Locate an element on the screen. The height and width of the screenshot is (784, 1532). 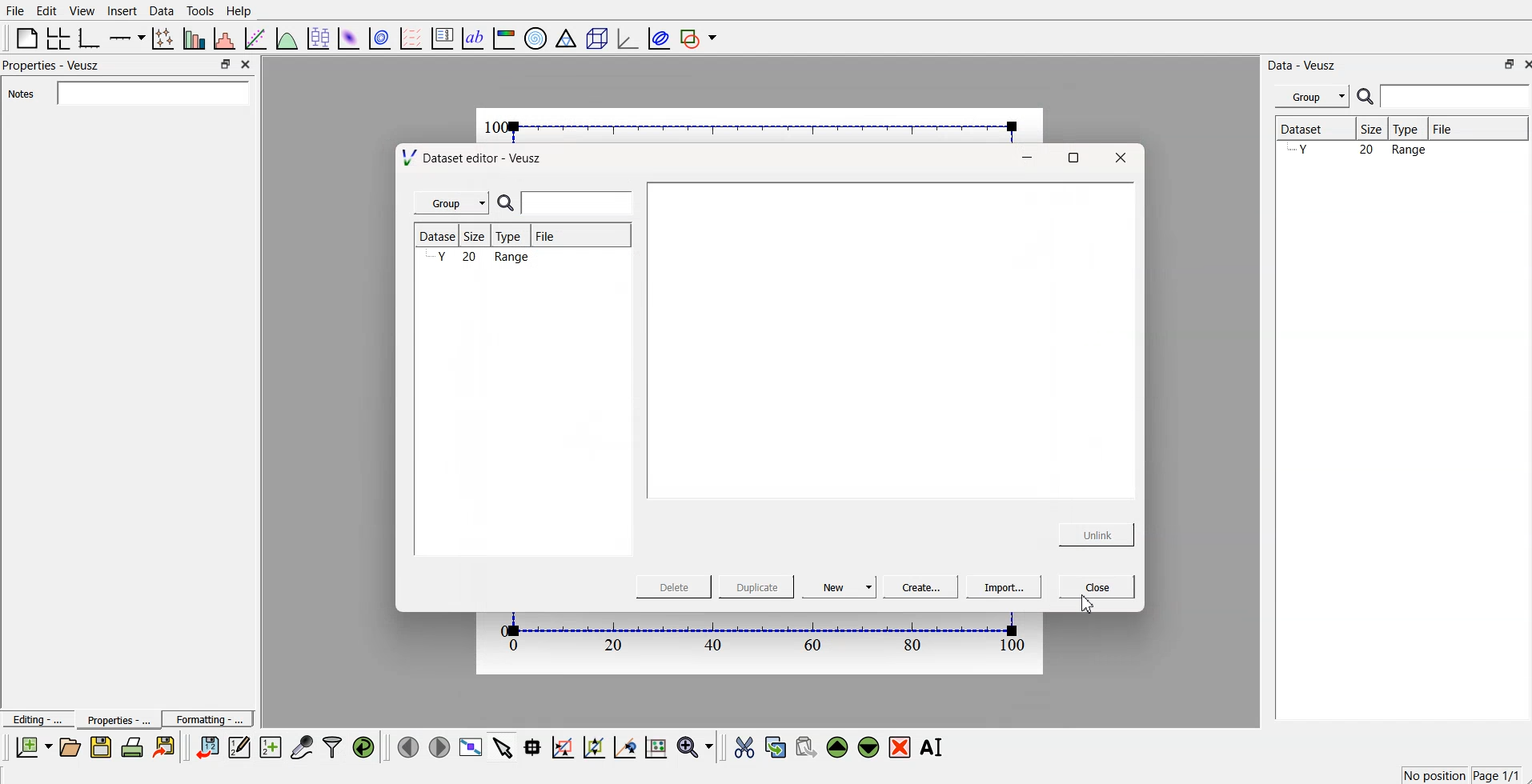
Filter data is located at coordinates (334, 746).